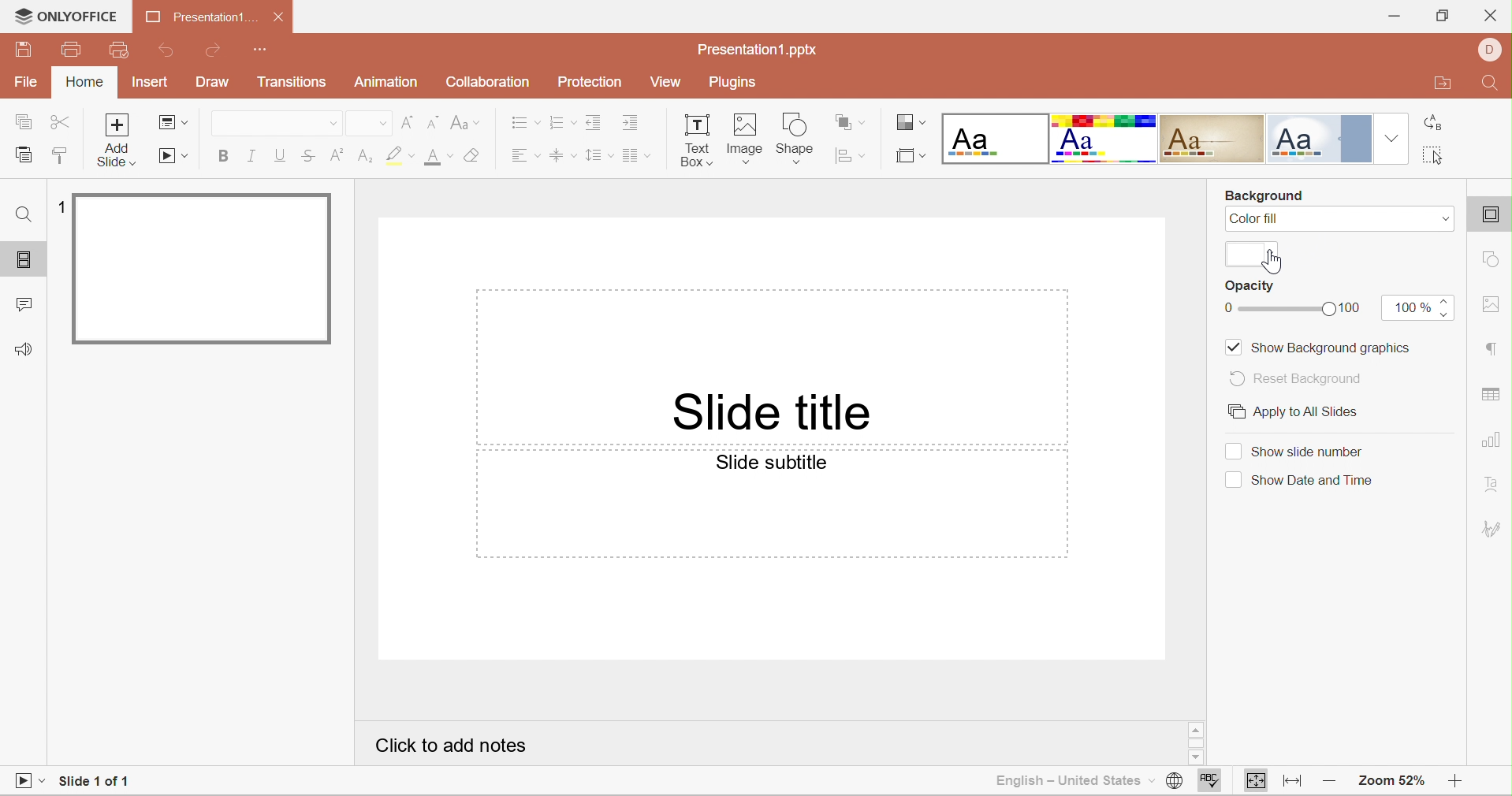  What do you see at coordinates (63, 205) in the screenshot?
I see `1` at bounding box center [63, 205].